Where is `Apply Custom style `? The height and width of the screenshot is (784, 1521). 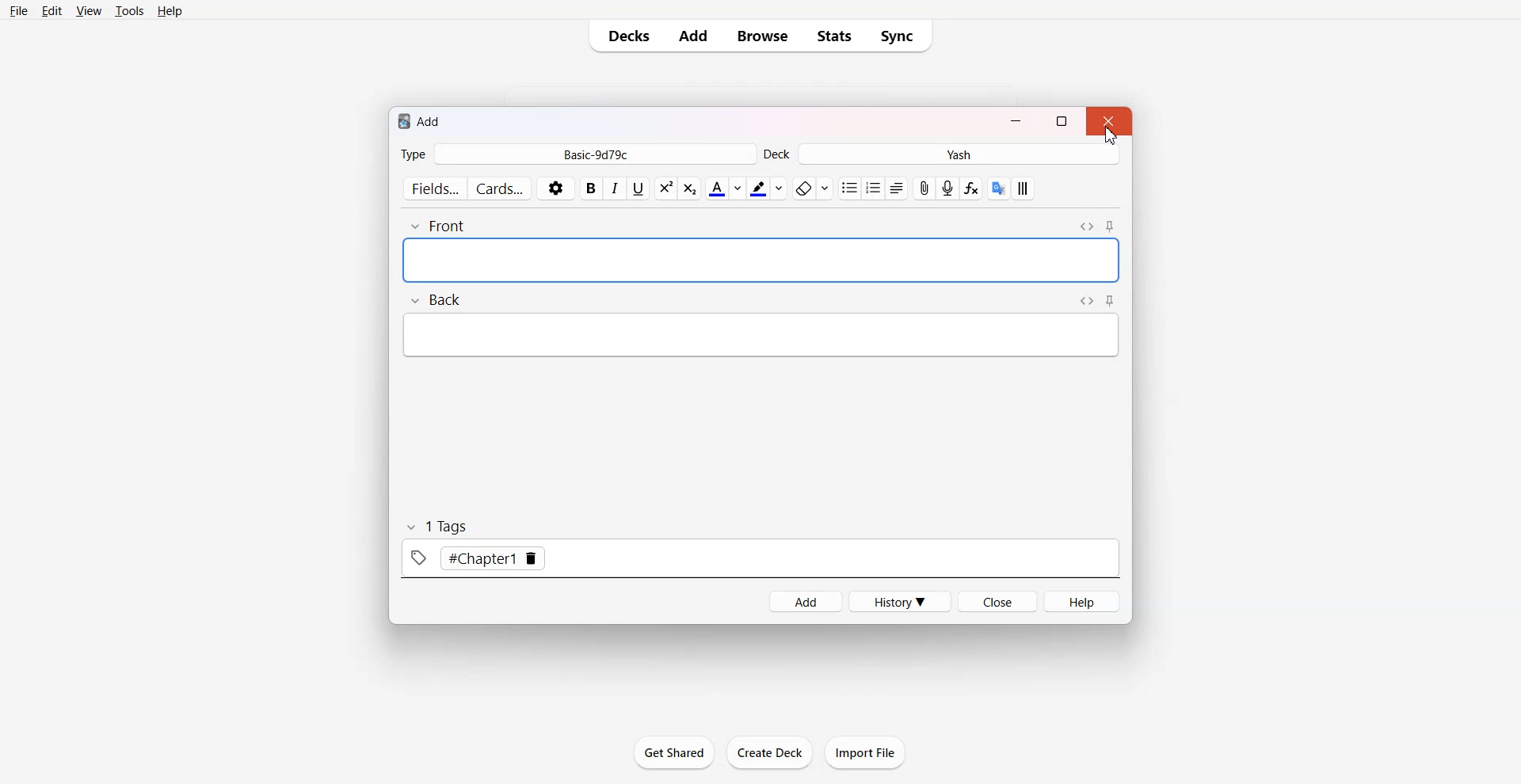
Apply Custom style  is located at coordinates (1022, 188).